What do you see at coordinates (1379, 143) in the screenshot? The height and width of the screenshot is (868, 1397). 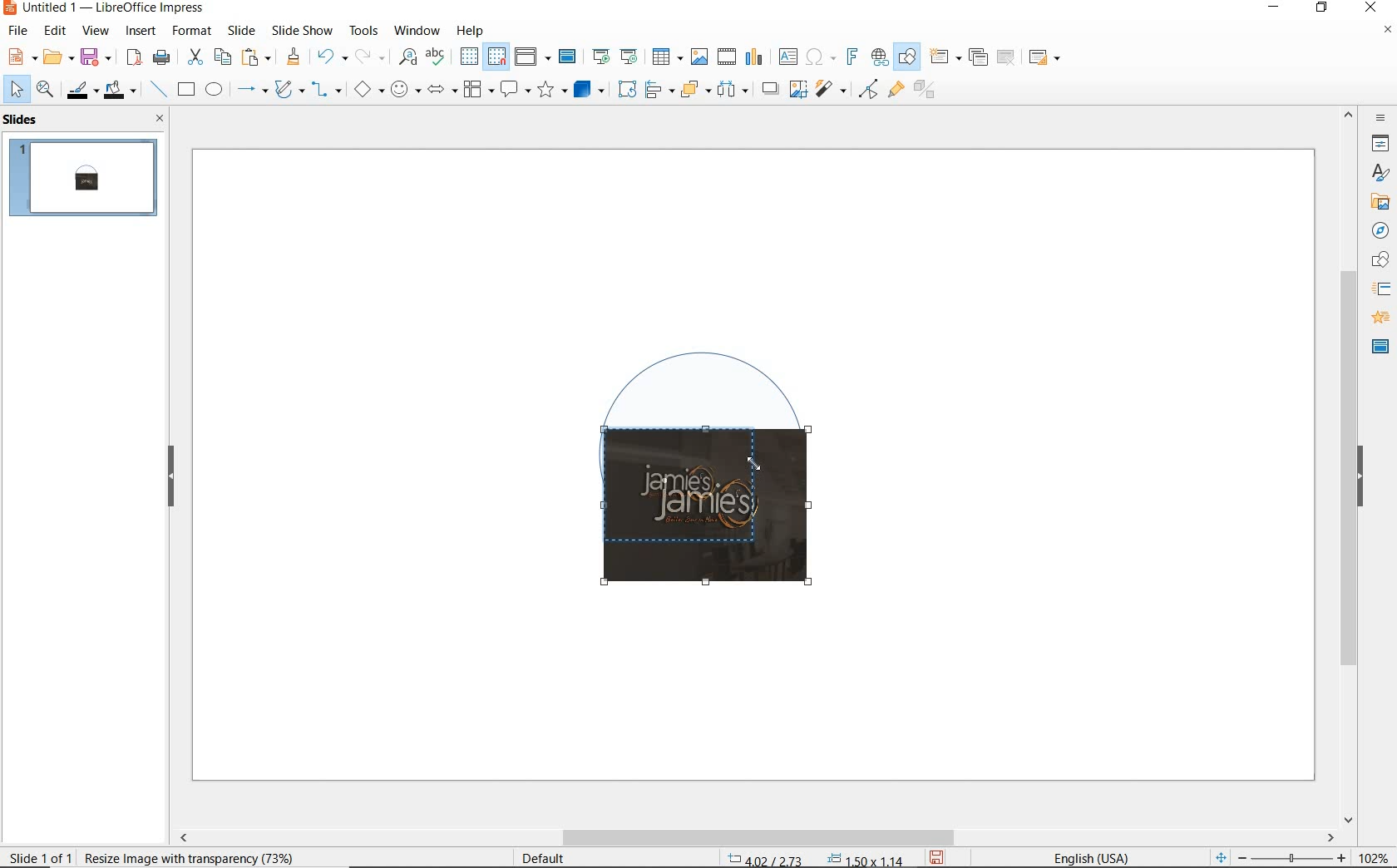 I see `properties` at bounding box center [1379, 143].